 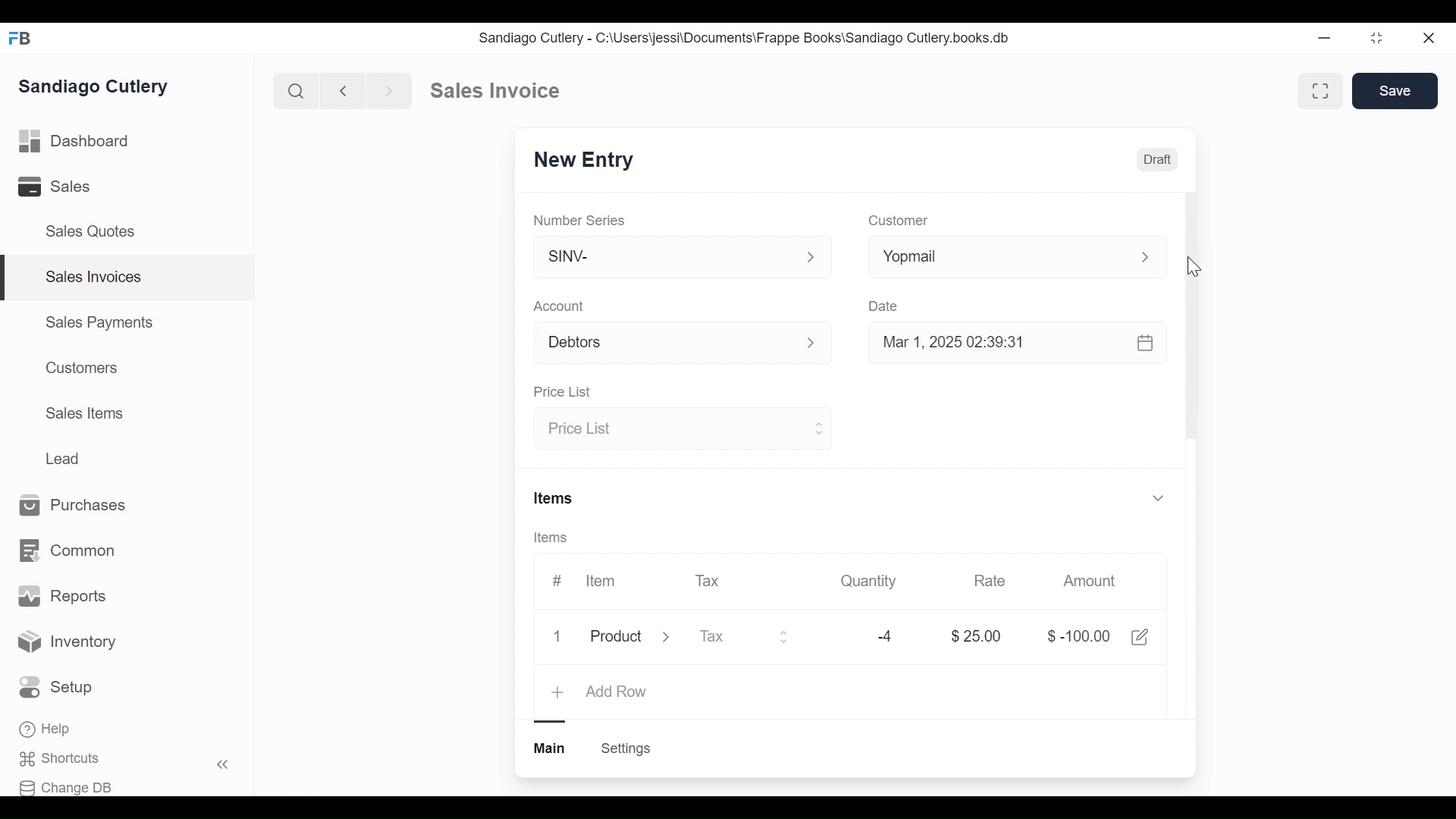 What do you see at coordinates (1014, 341) in the screenshot?
I see ` Mar 1, 2025 02:39:31` at bounding box center [1014, 341].